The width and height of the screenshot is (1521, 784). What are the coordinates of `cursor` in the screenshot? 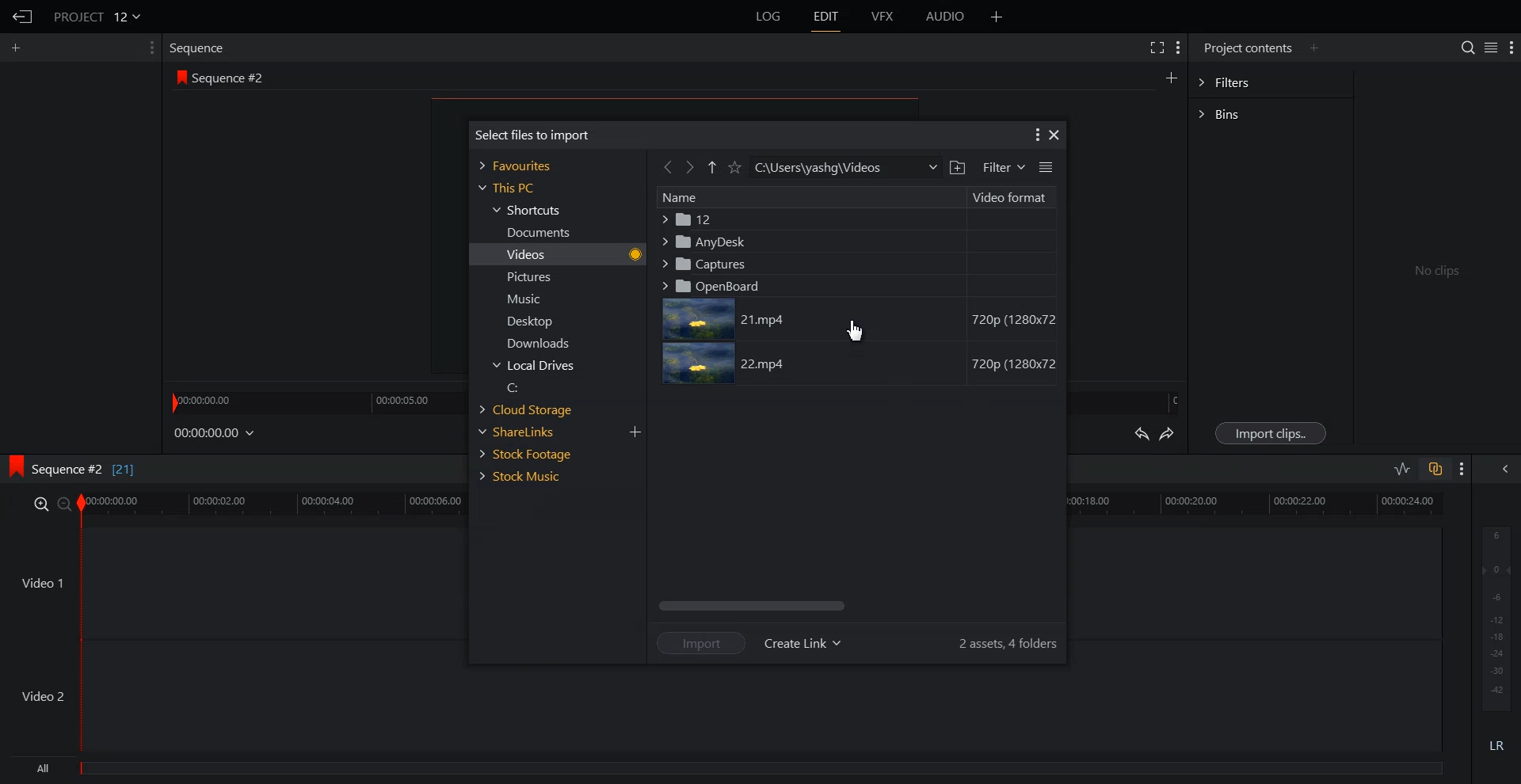 It's located at (858, 329).